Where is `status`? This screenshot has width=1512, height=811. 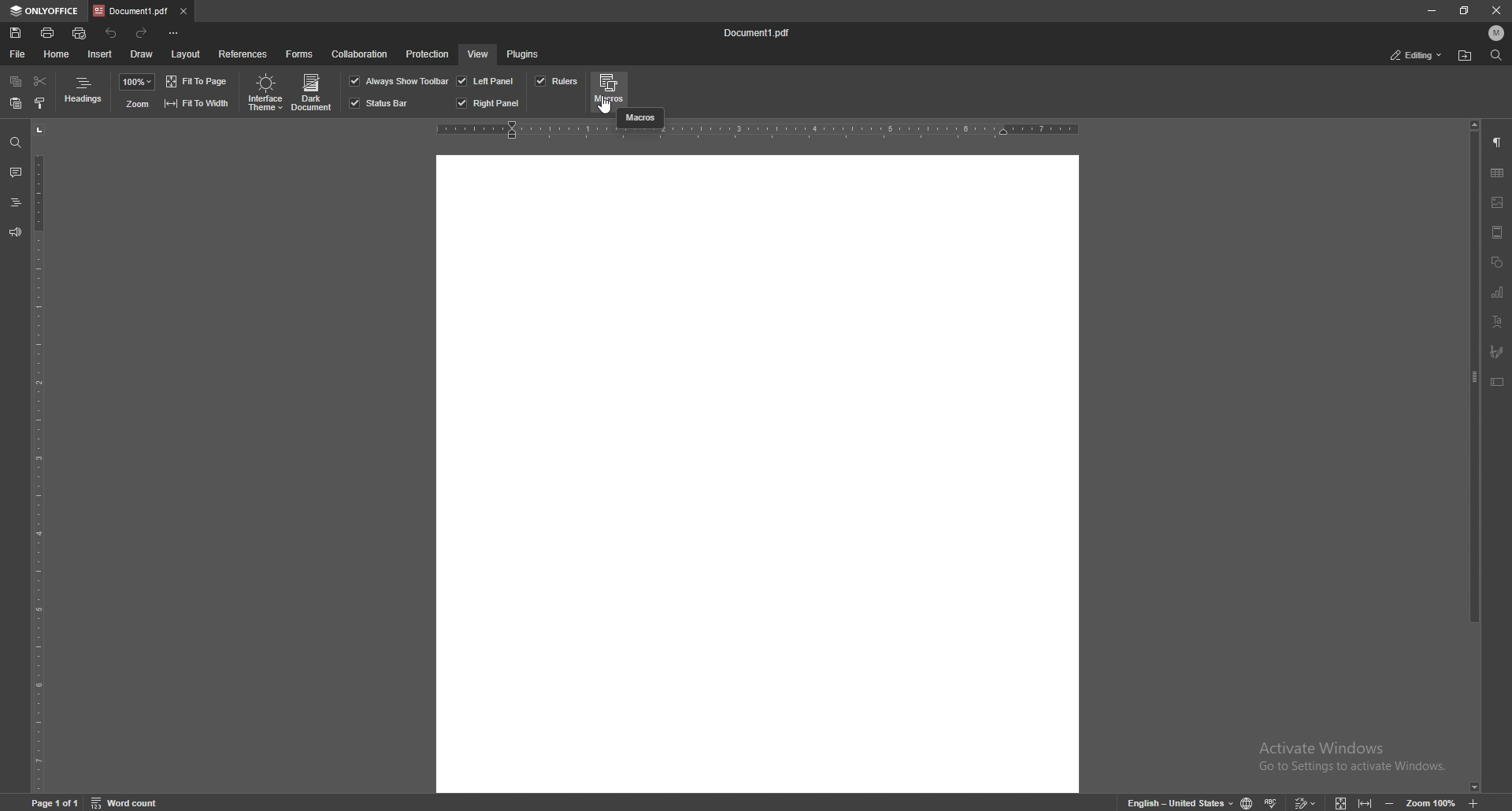
status is located at coordinates (1417, 54).